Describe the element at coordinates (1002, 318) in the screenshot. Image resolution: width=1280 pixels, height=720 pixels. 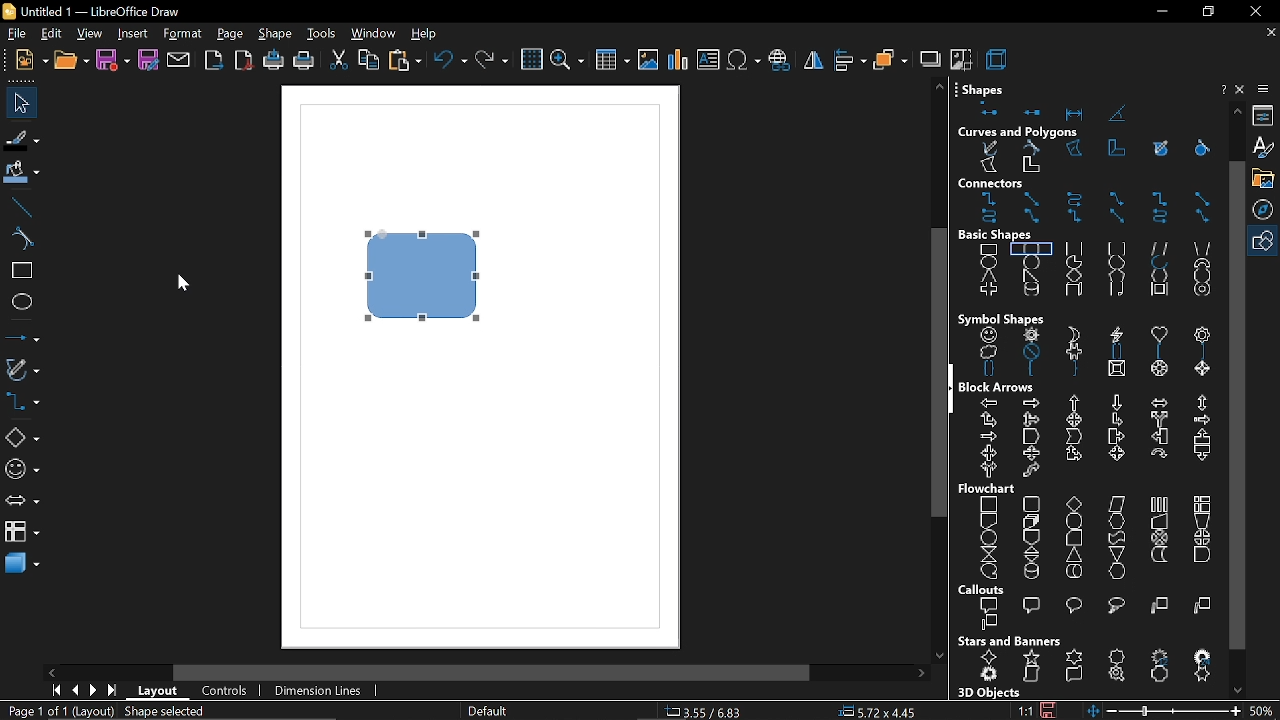
I see `symbol shapes` at that location.